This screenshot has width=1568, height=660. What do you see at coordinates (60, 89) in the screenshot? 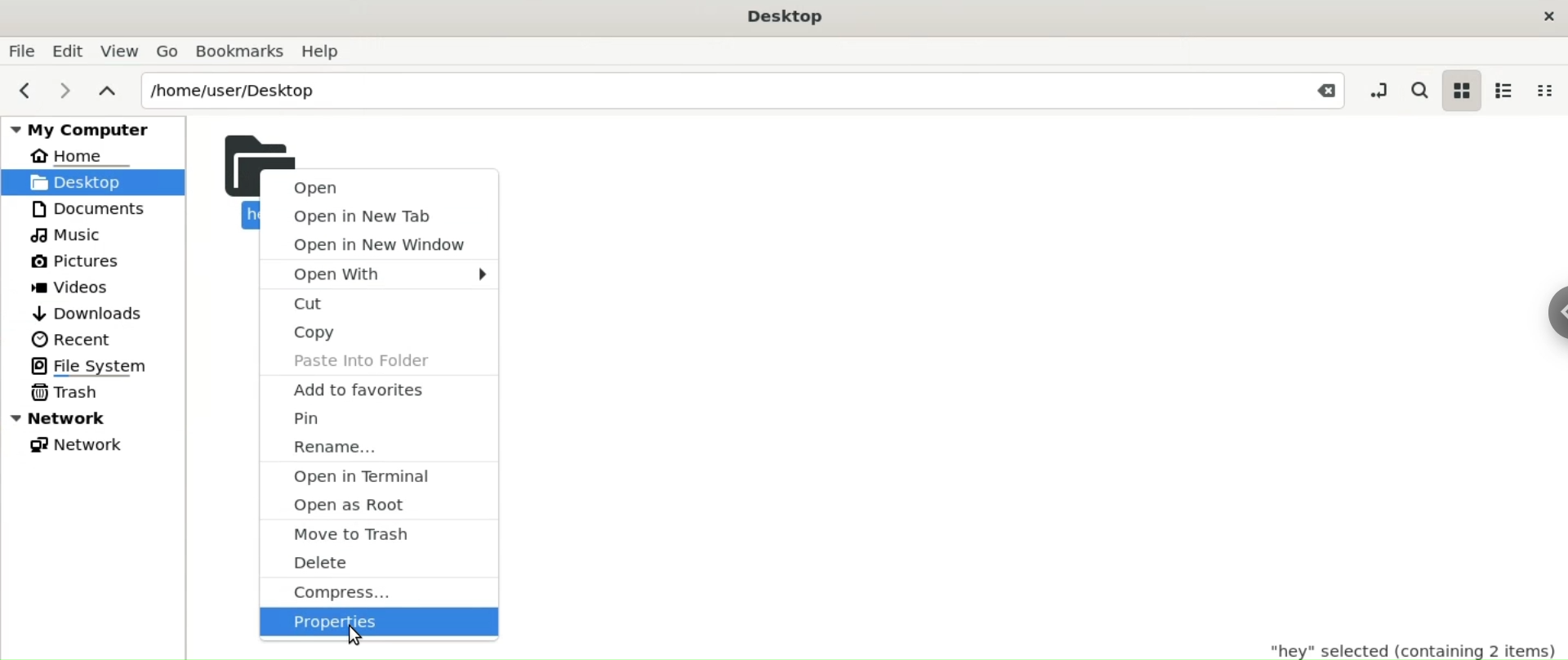
I see `next` at bounding box center [60, 89].